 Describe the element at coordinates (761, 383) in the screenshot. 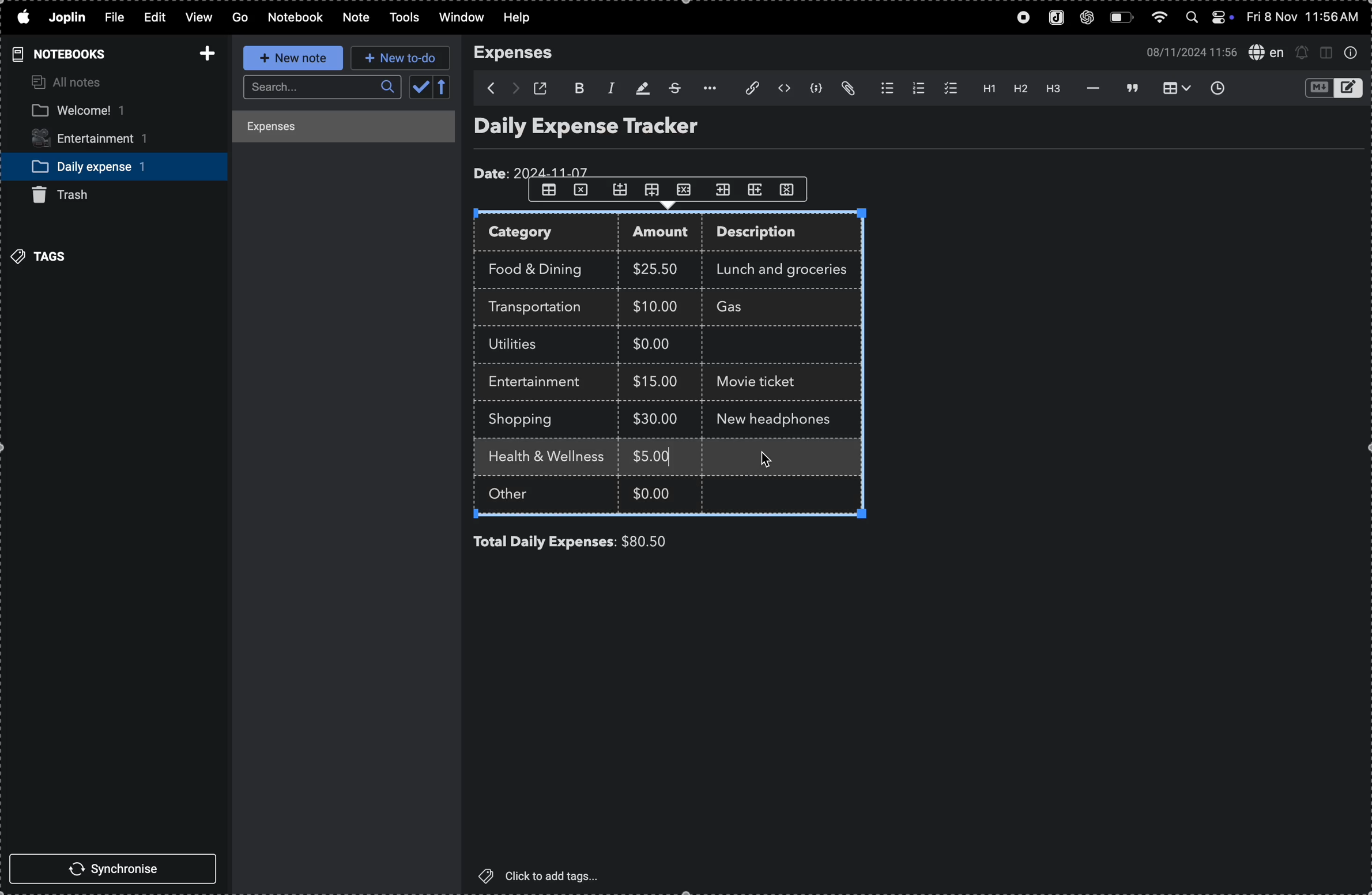

I see `movie ticket` at that location.